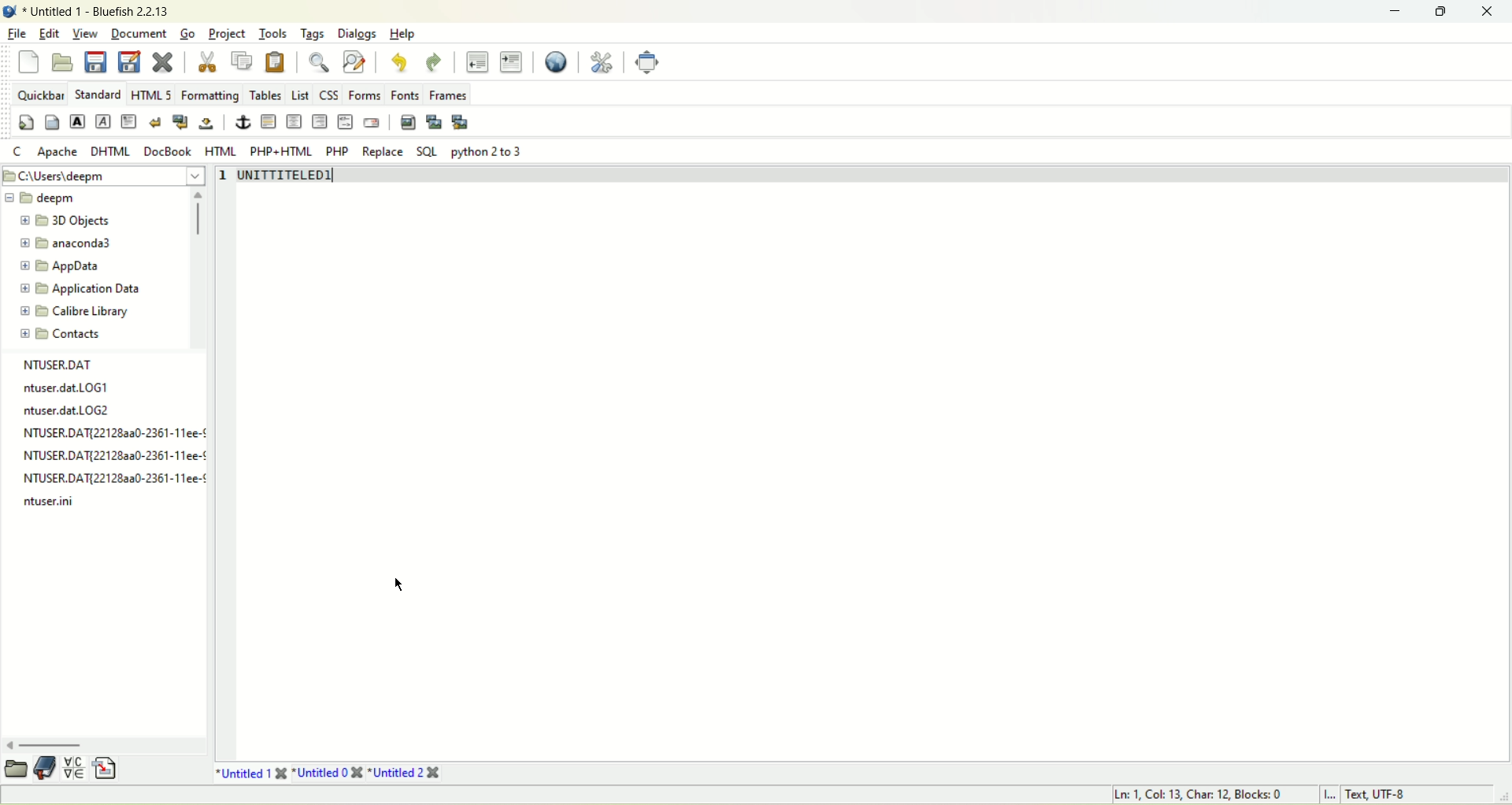  What do you see at coordinates (244, 61) in the screenshot?
I see `copy` at bounding box center [244, 61].